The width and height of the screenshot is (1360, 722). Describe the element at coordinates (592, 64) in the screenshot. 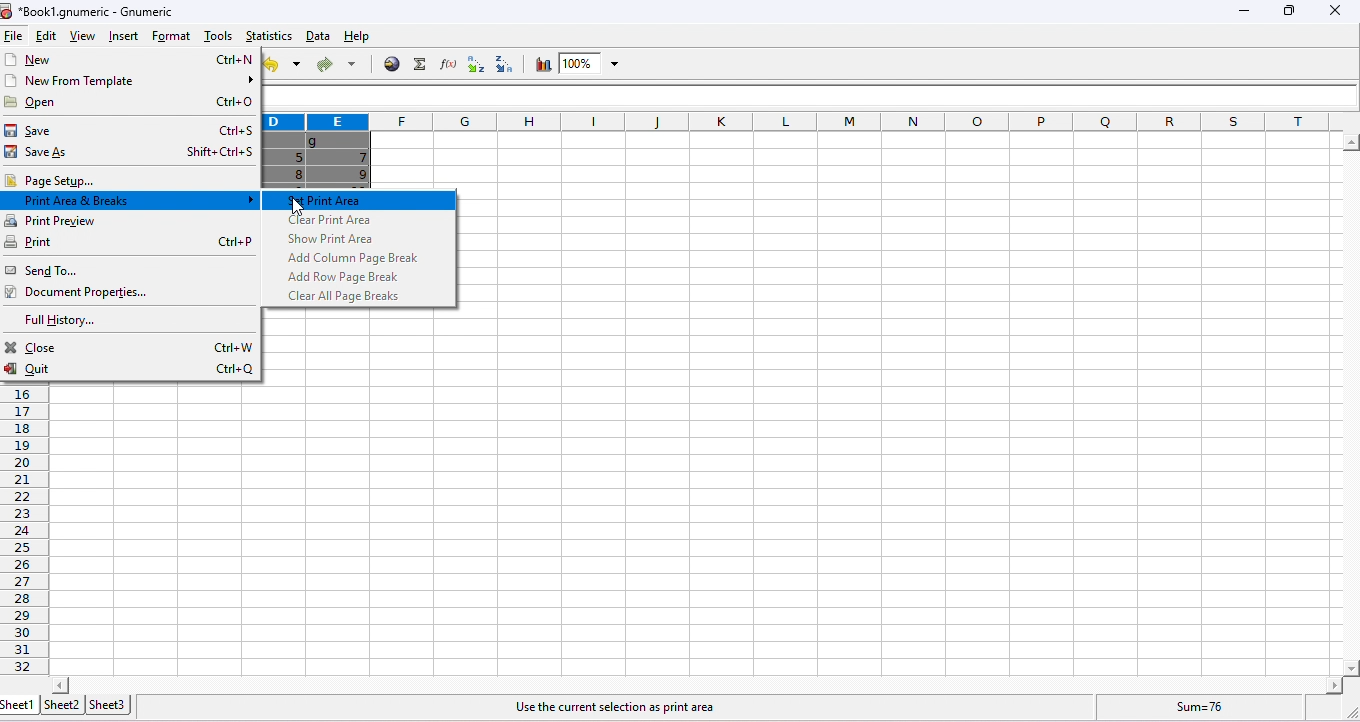

I see `zoom` at that location.